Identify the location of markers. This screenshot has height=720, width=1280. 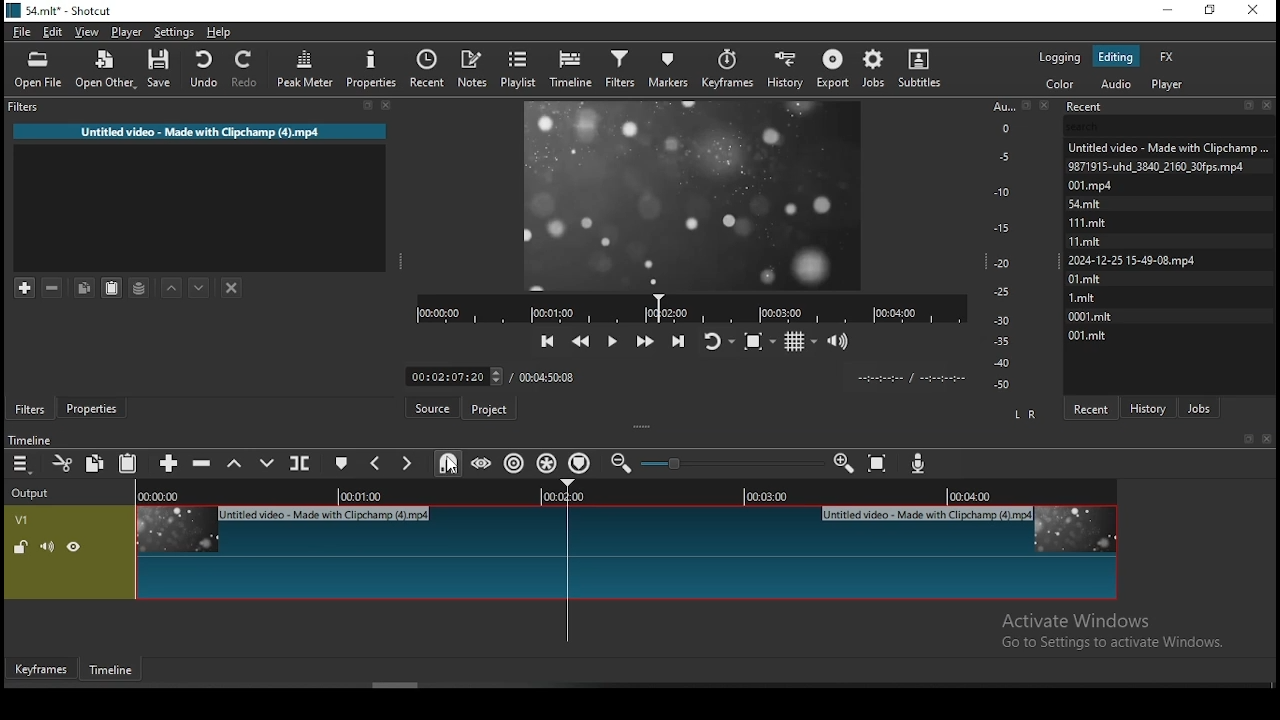
(671, 67).